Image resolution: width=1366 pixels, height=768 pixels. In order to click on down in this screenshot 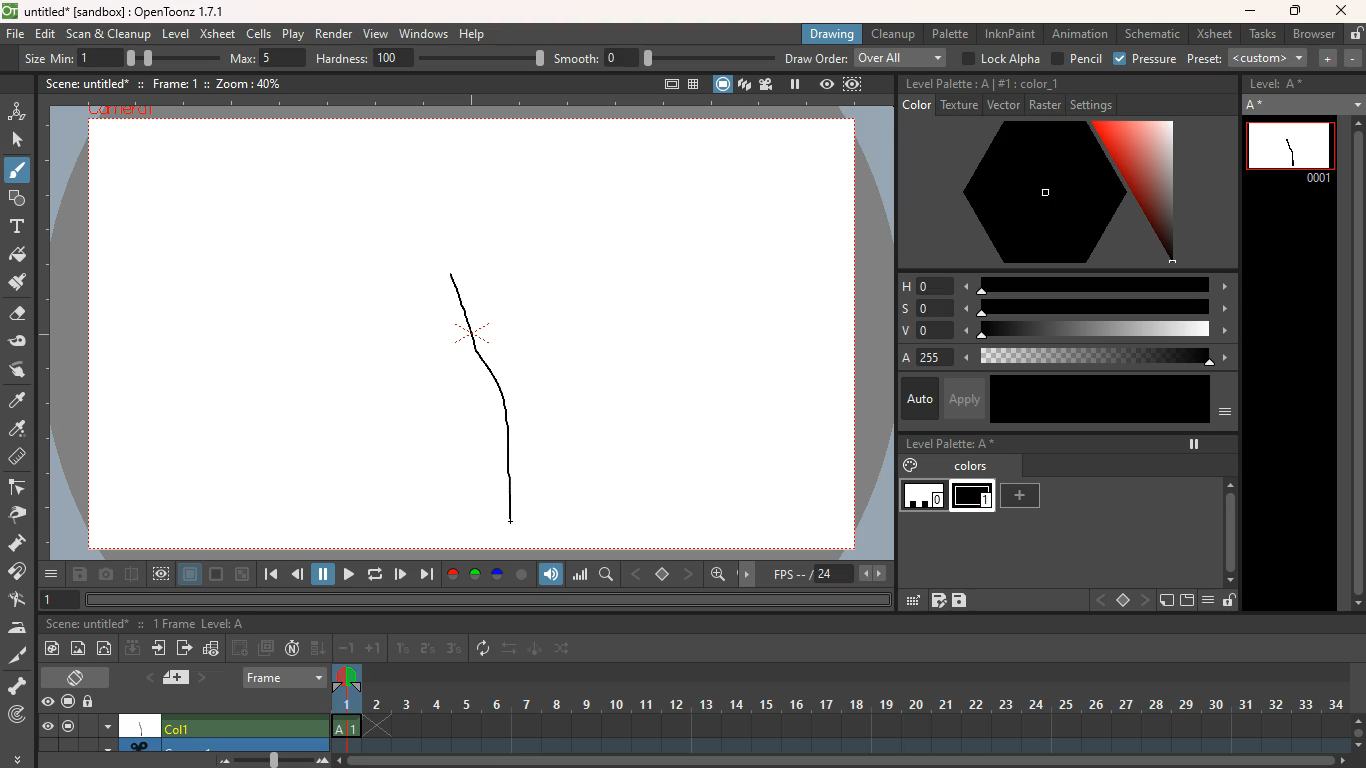, I will do `click(132, 650)`.